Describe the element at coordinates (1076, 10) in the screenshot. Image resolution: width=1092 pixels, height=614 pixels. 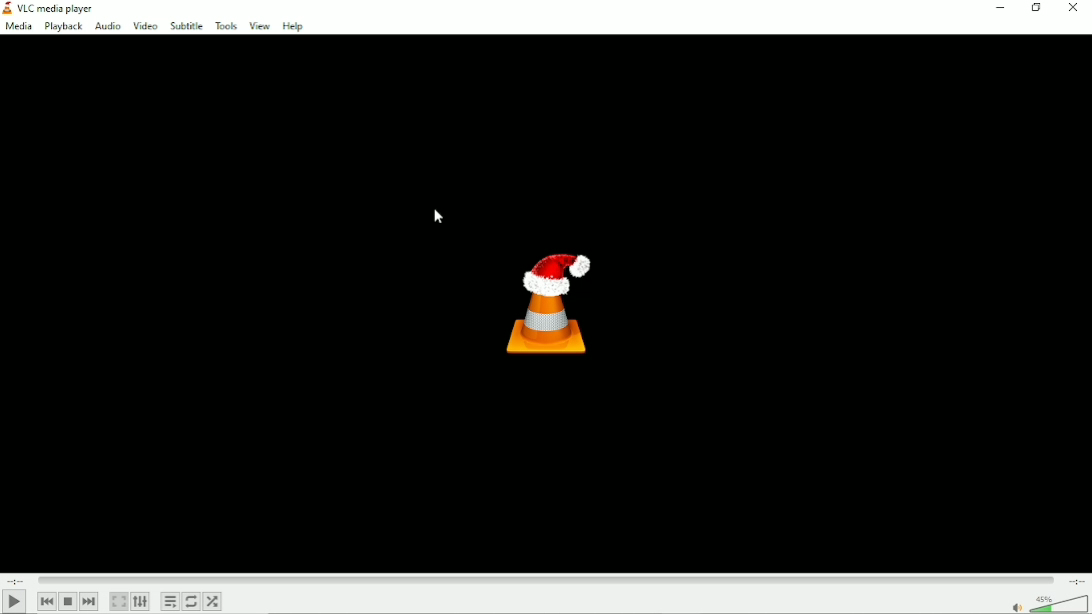
I see `Close` at that location.